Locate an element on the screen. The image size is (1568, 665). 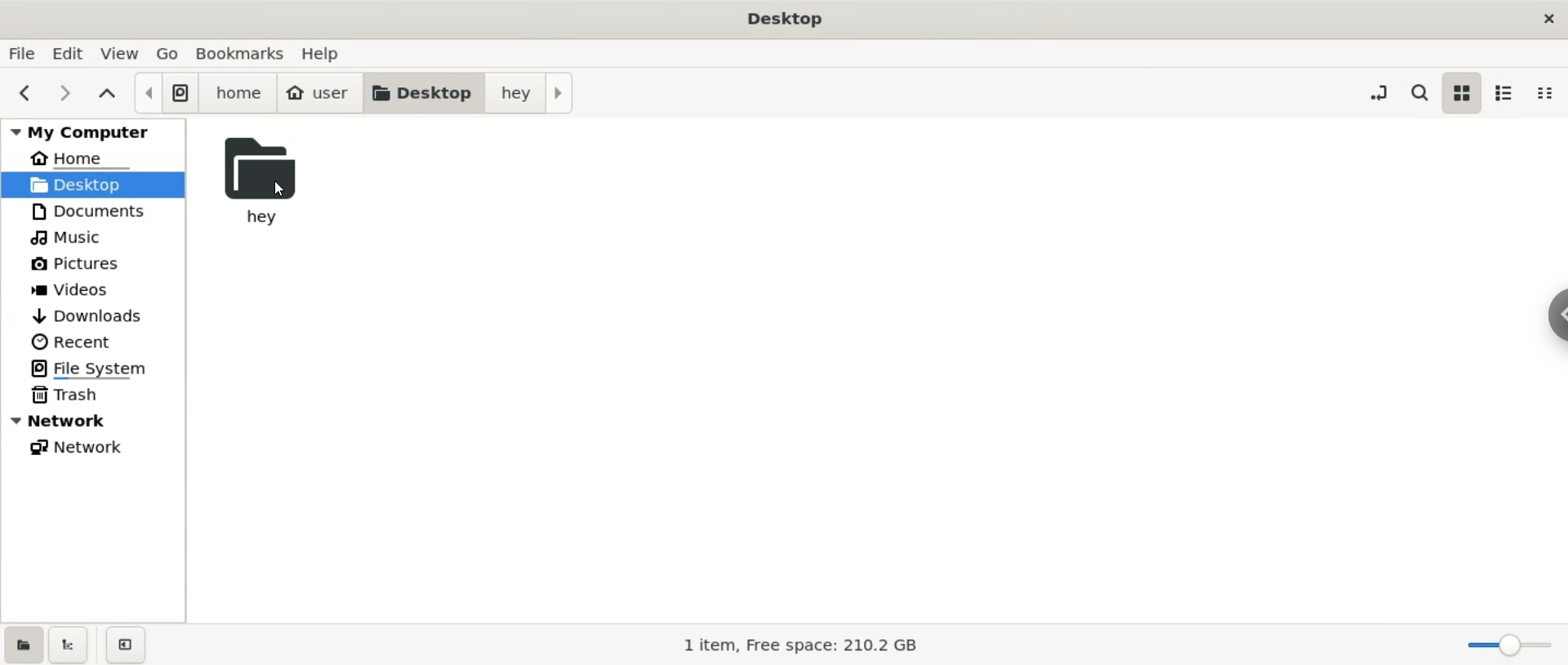
show treeview is located at coordinates (69, 645).